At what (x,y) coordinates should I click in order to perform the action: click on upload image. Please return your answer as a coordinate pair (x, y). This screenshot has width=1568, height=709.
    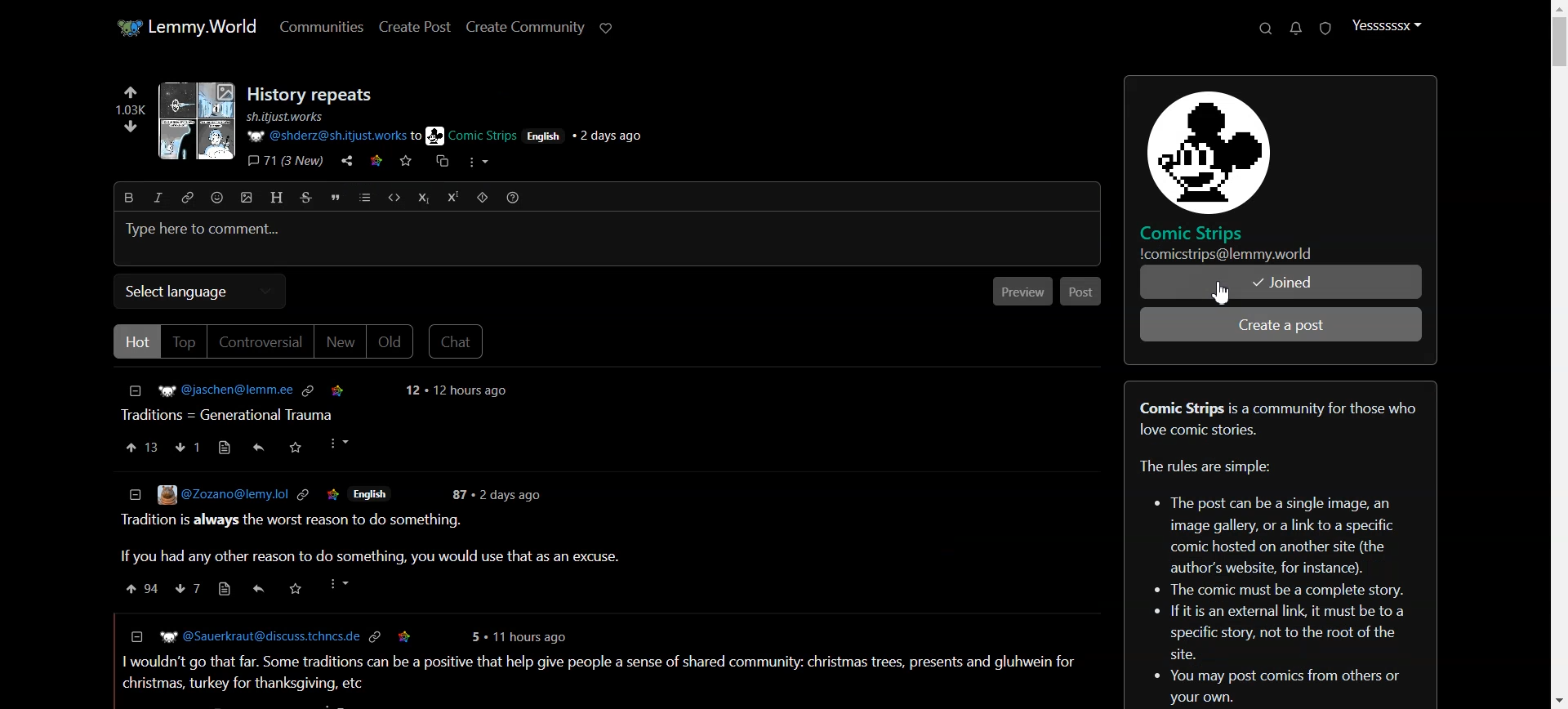
    Looking at the image, I should click on (247, 198).